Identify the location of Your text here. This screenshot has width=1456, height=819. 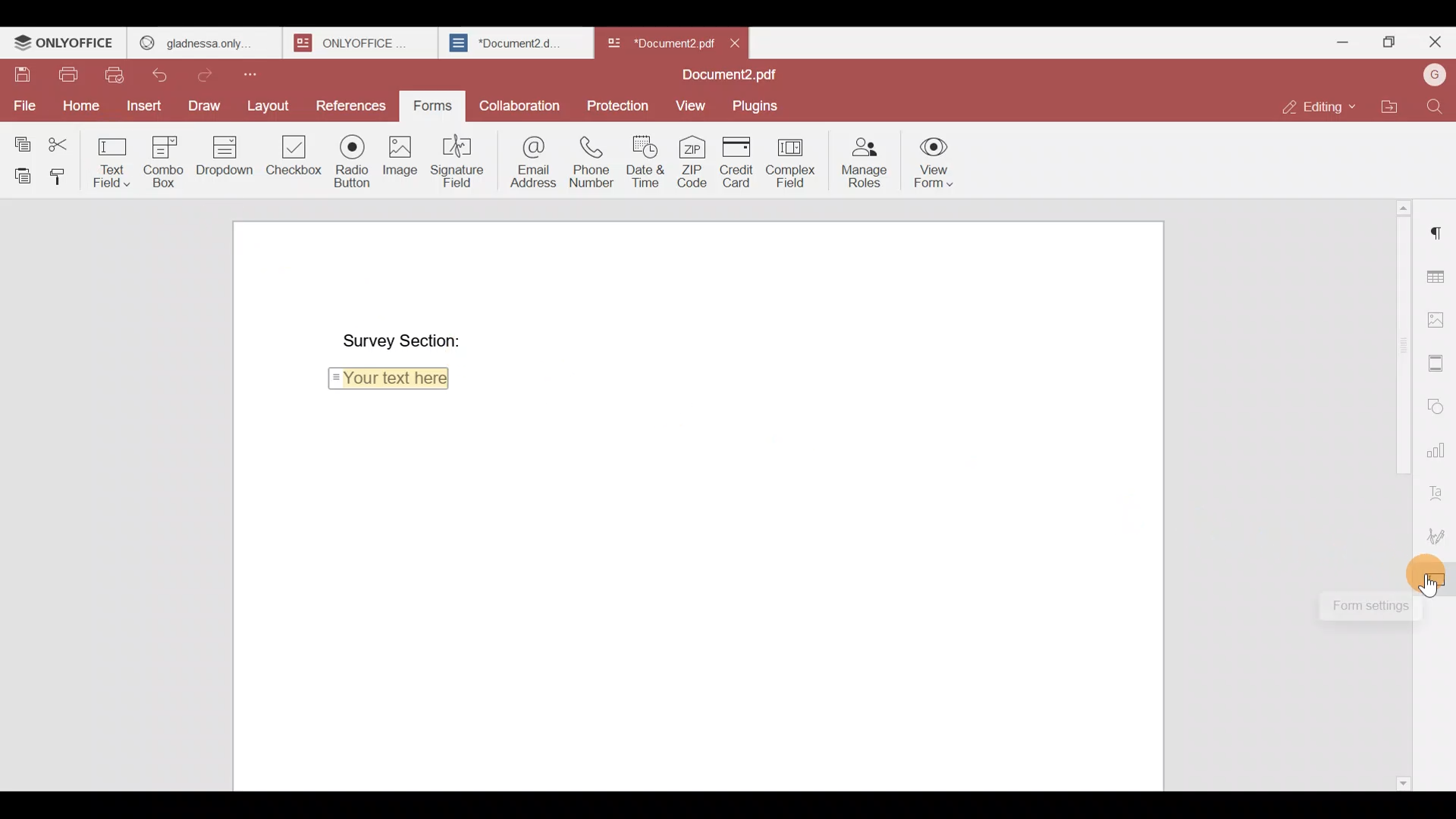
(392, 384).